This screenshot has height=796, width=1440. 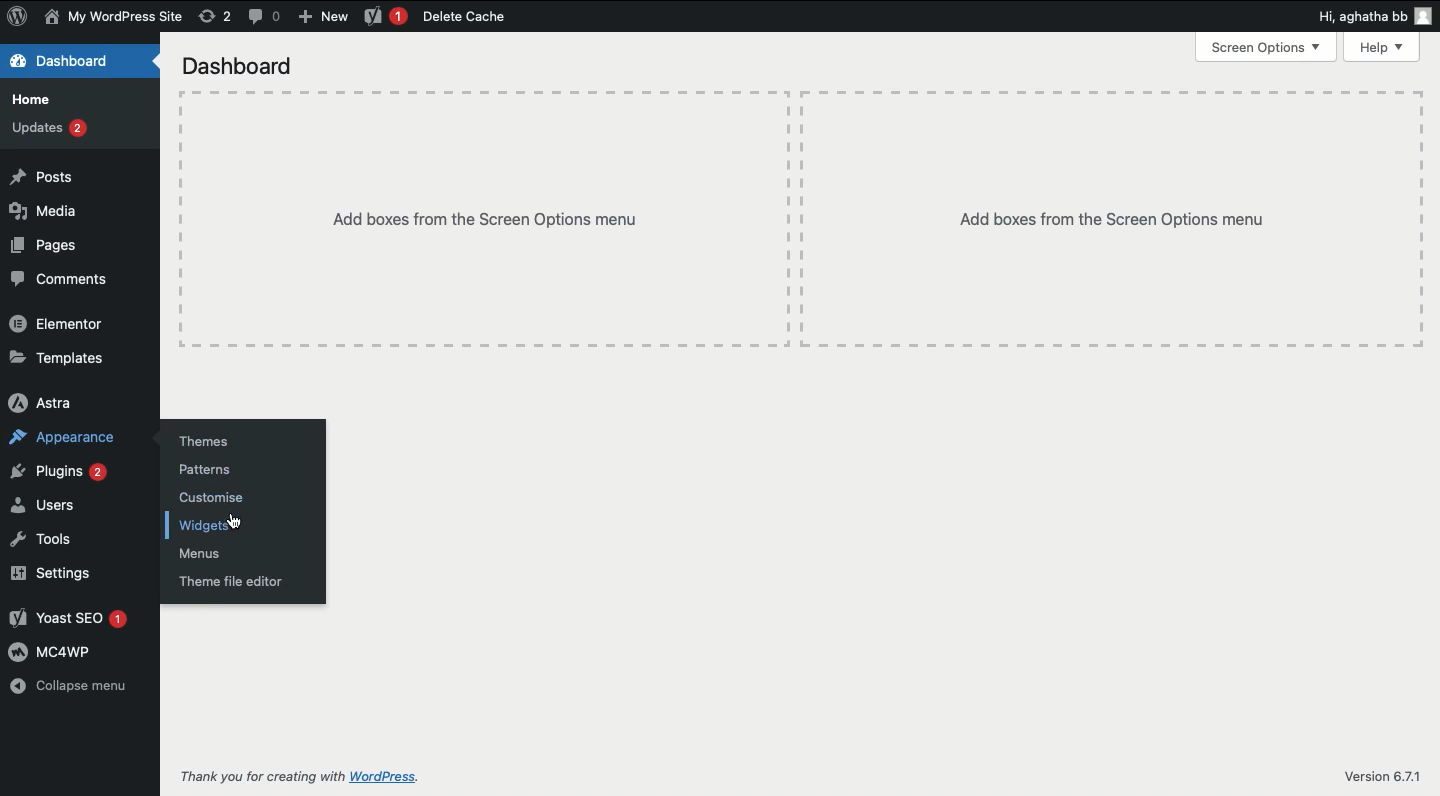 What do you see at coordinates (1376, 771) in the screenshot?
I see `Version 6.7.1` at bounding box center [1376, 771].